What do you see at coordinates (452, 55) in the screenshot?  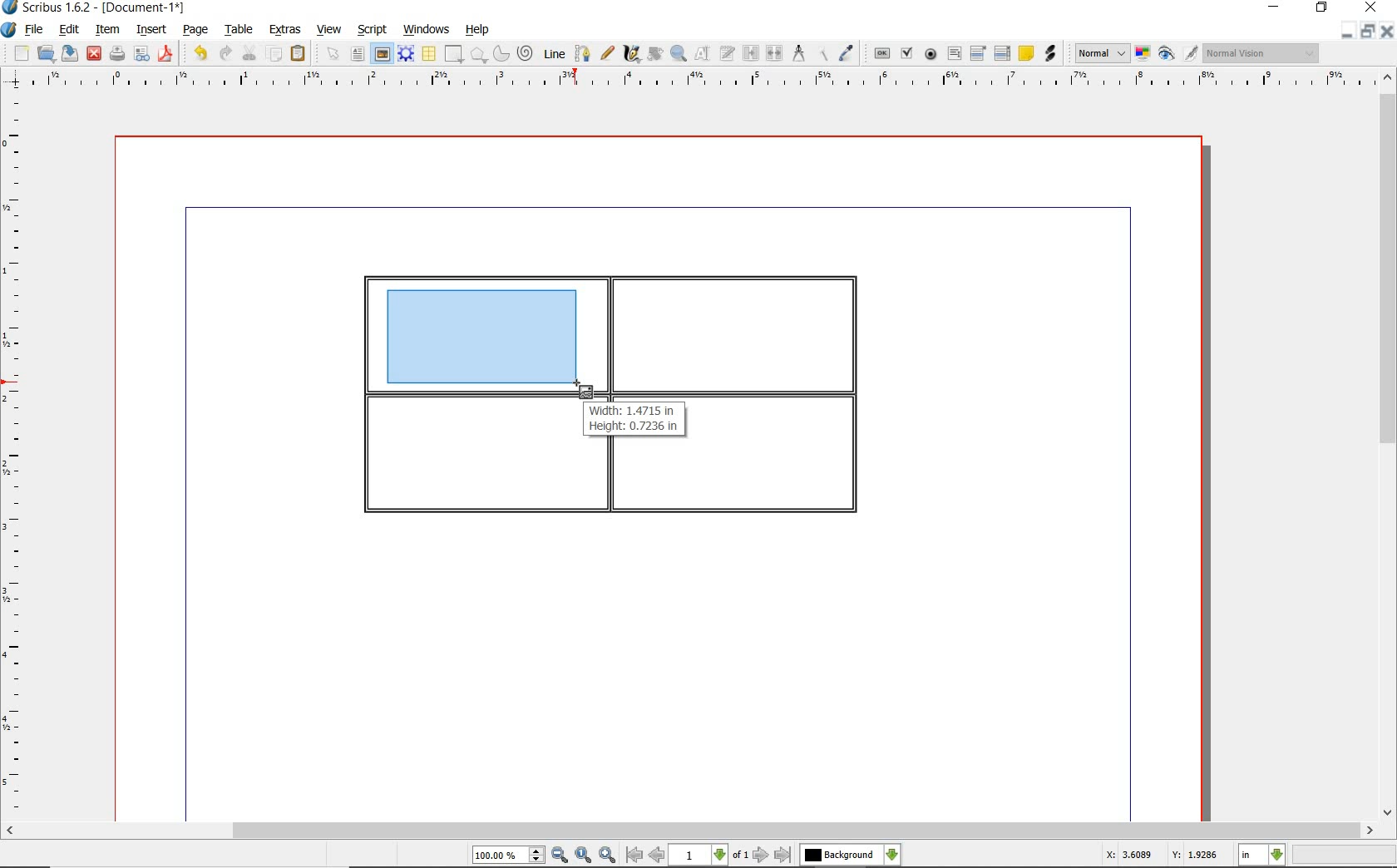 I see `shape` at bounding box center [452, 55].